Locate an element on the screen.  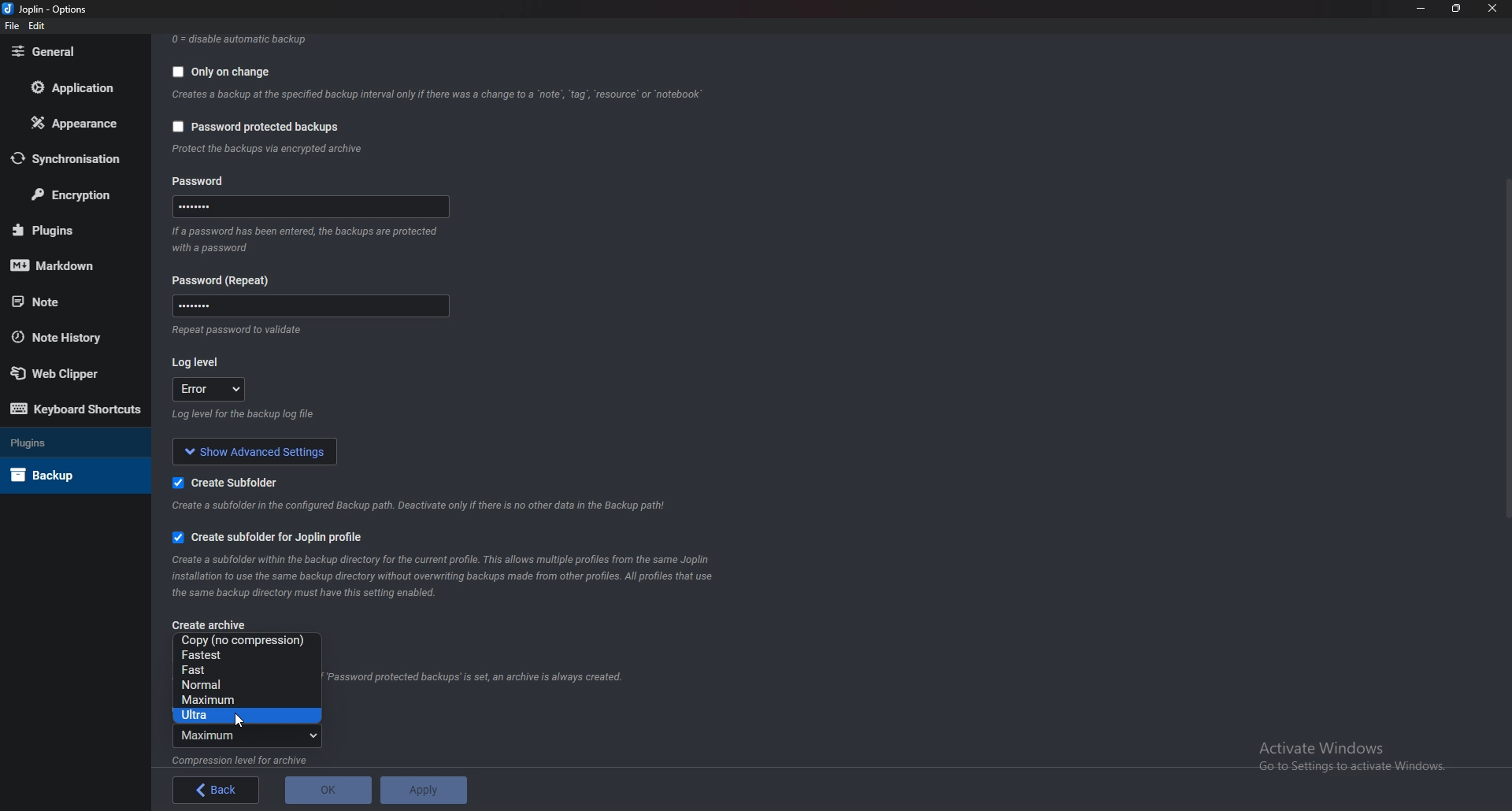
info is located at coordinates (250, 759).